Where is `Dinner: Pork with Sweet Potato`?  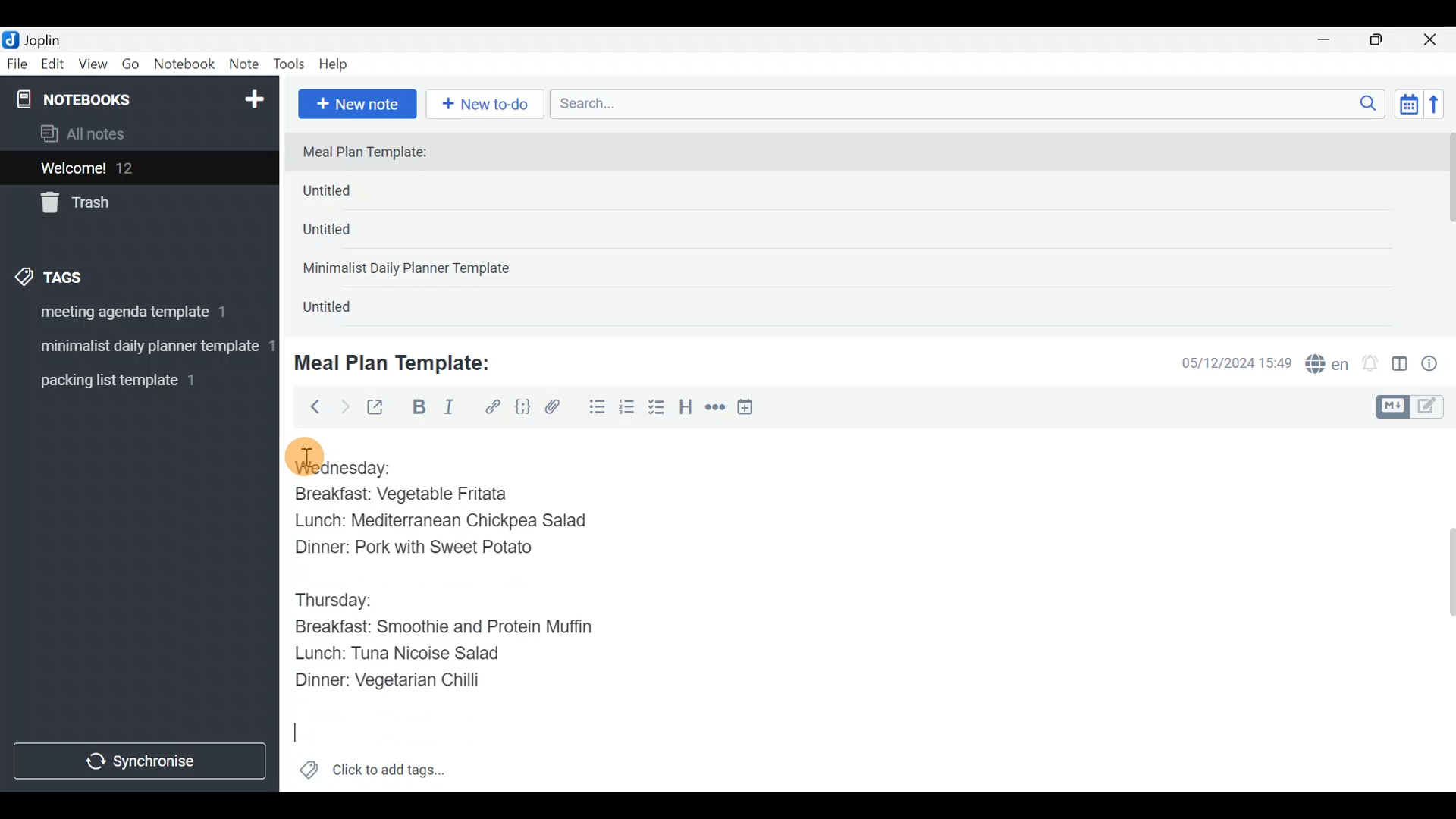
Dinner: Pork with Sweet Potato is located at coordinates (427, 547).